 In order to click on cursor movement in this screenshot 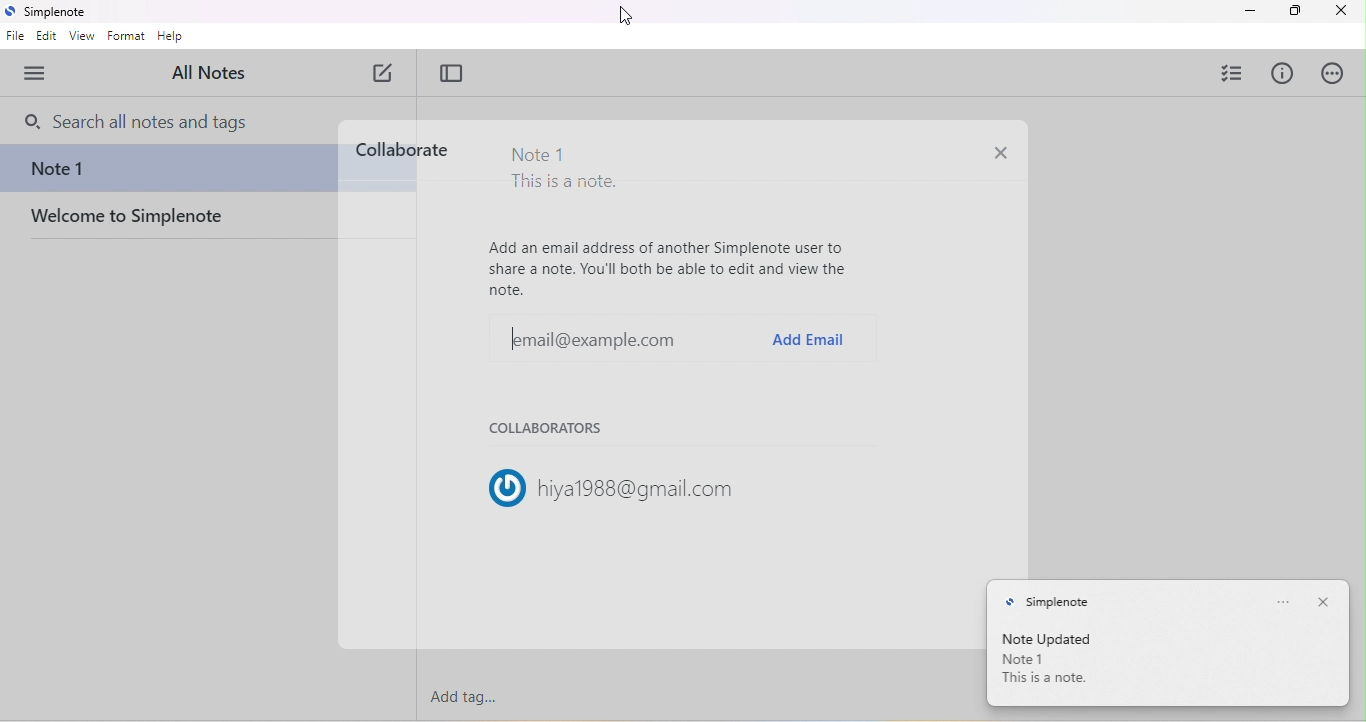, I will do `click(624, 19)`.